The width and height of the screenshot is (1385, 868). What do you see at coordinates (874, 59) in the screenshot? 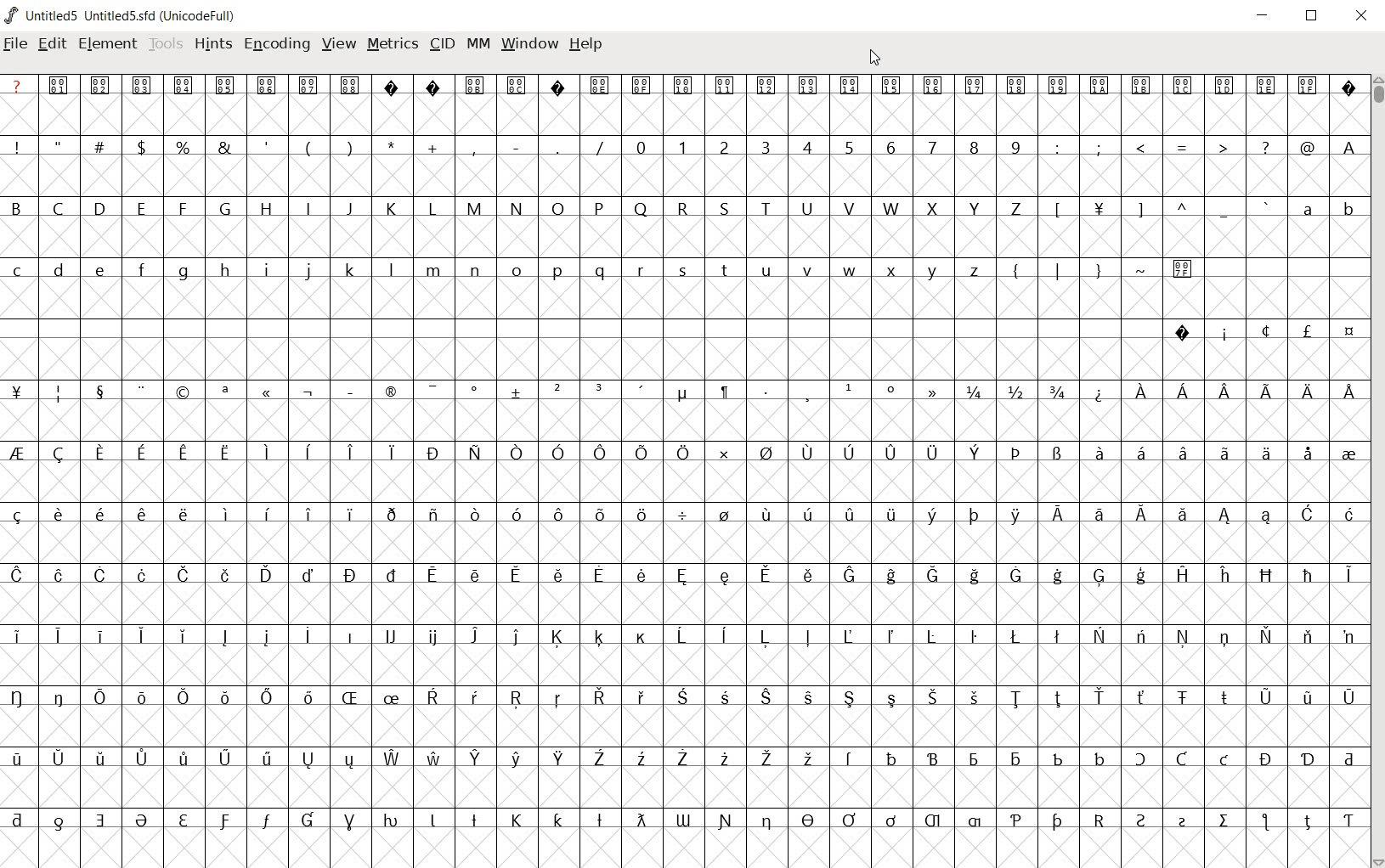
I see `CURSOR` at bounding box center [874, 59].